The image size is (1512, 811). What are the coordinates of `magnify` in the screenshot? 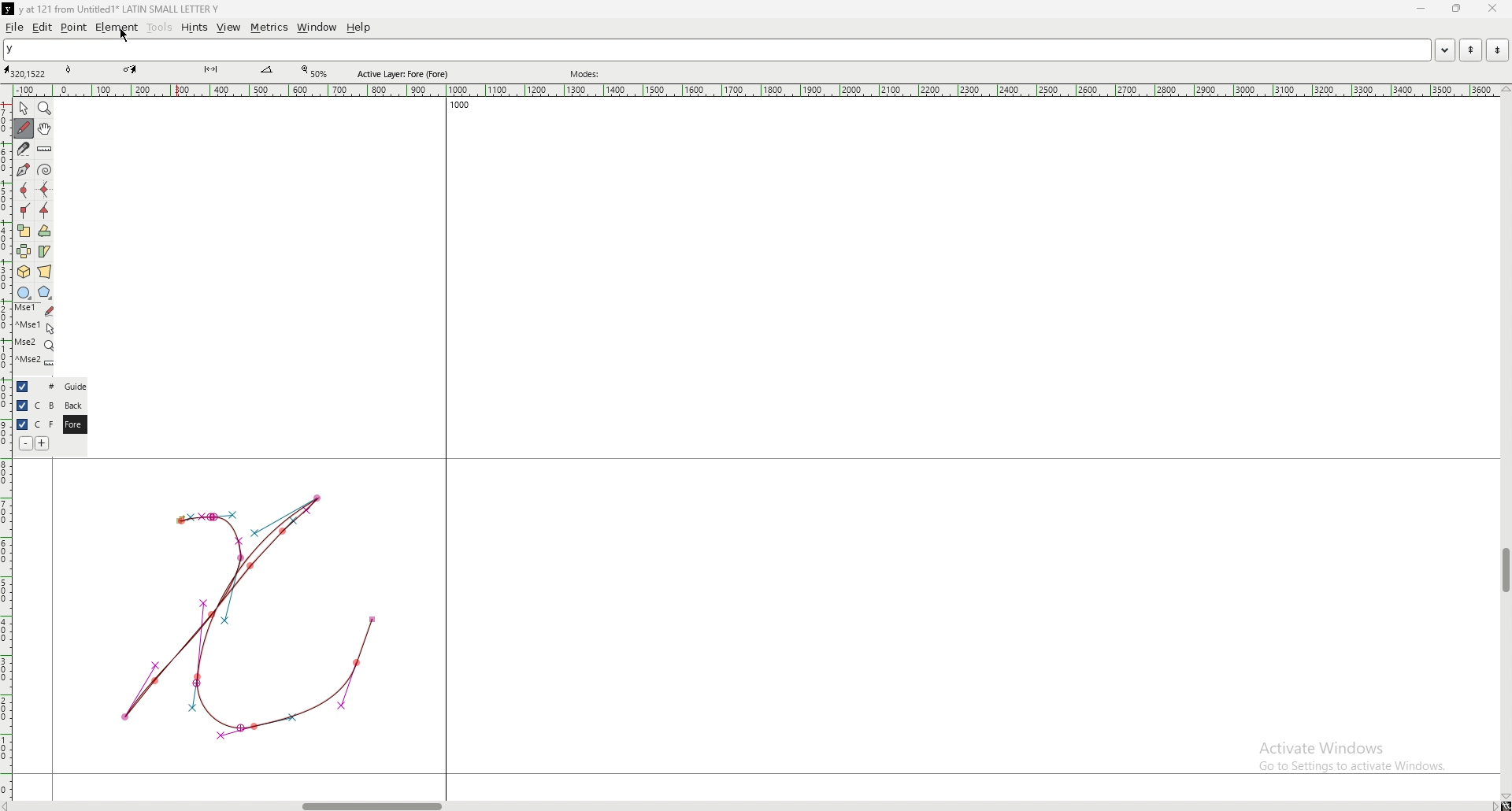 It's located at (45, 108).